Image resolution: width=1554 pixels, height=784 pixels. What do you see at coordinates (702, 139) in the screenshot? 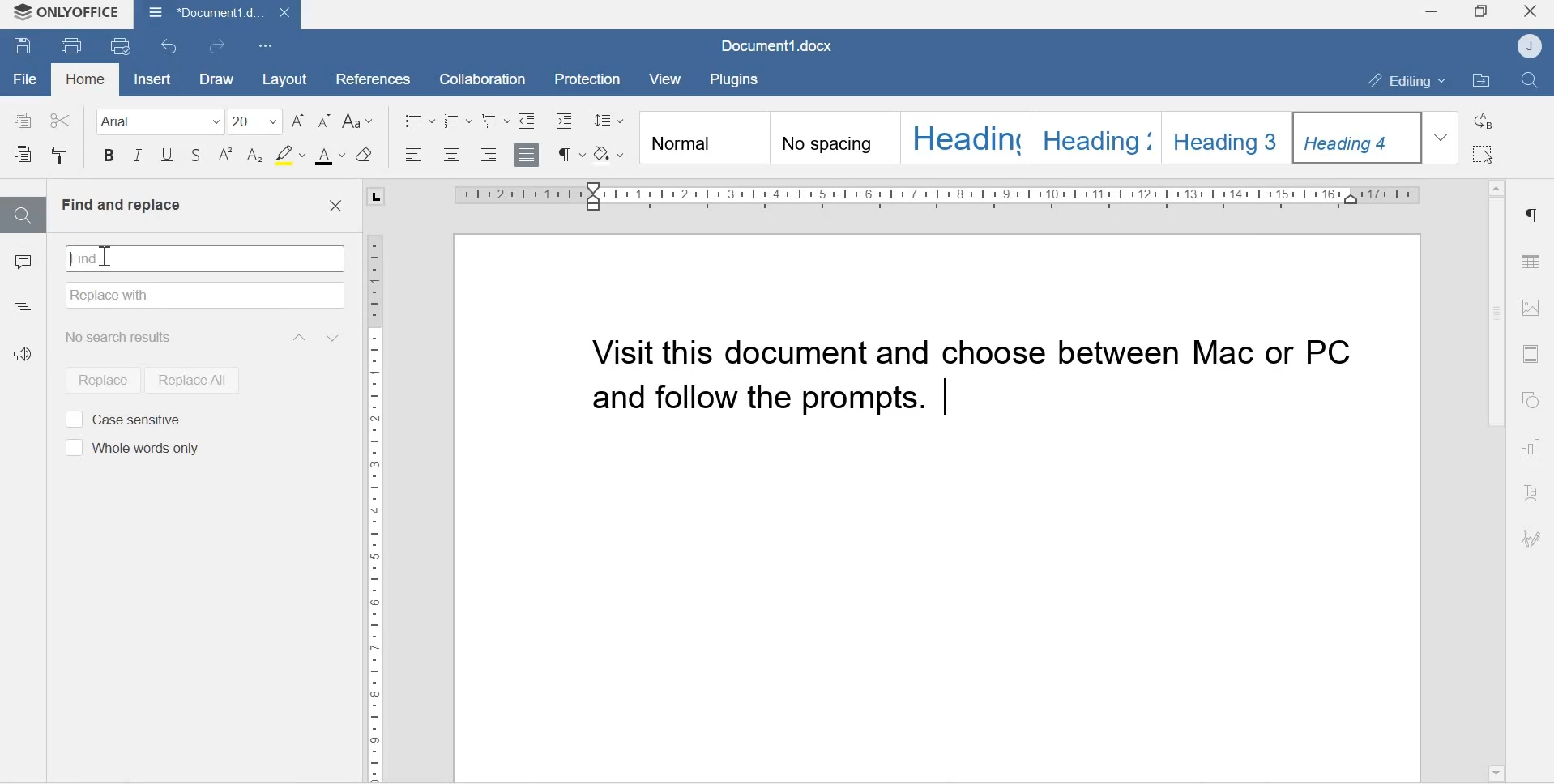
I see `Normal` at bounding box center [702, 139].